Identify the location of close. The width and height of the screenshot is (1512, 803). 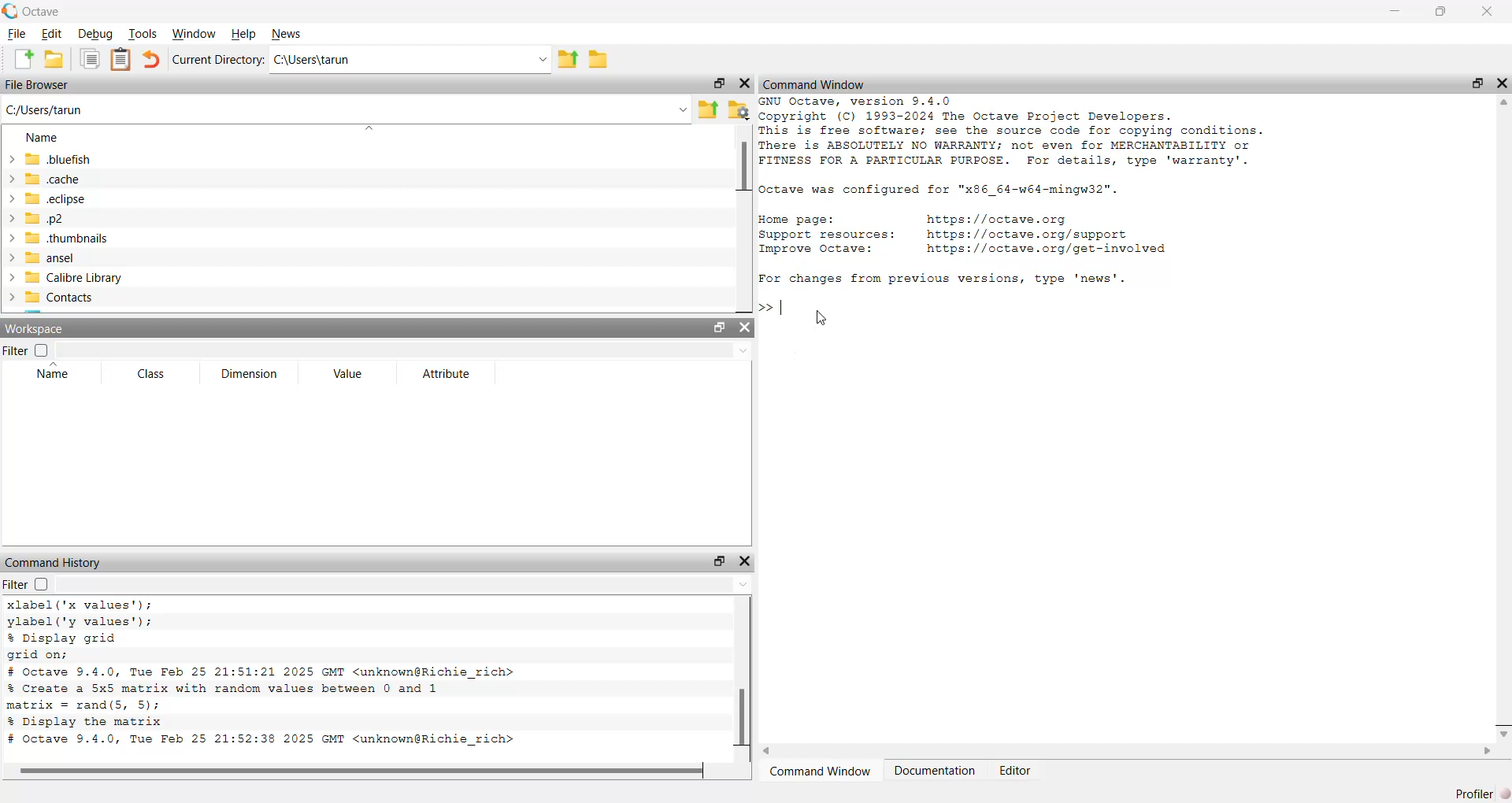
(748, 327).